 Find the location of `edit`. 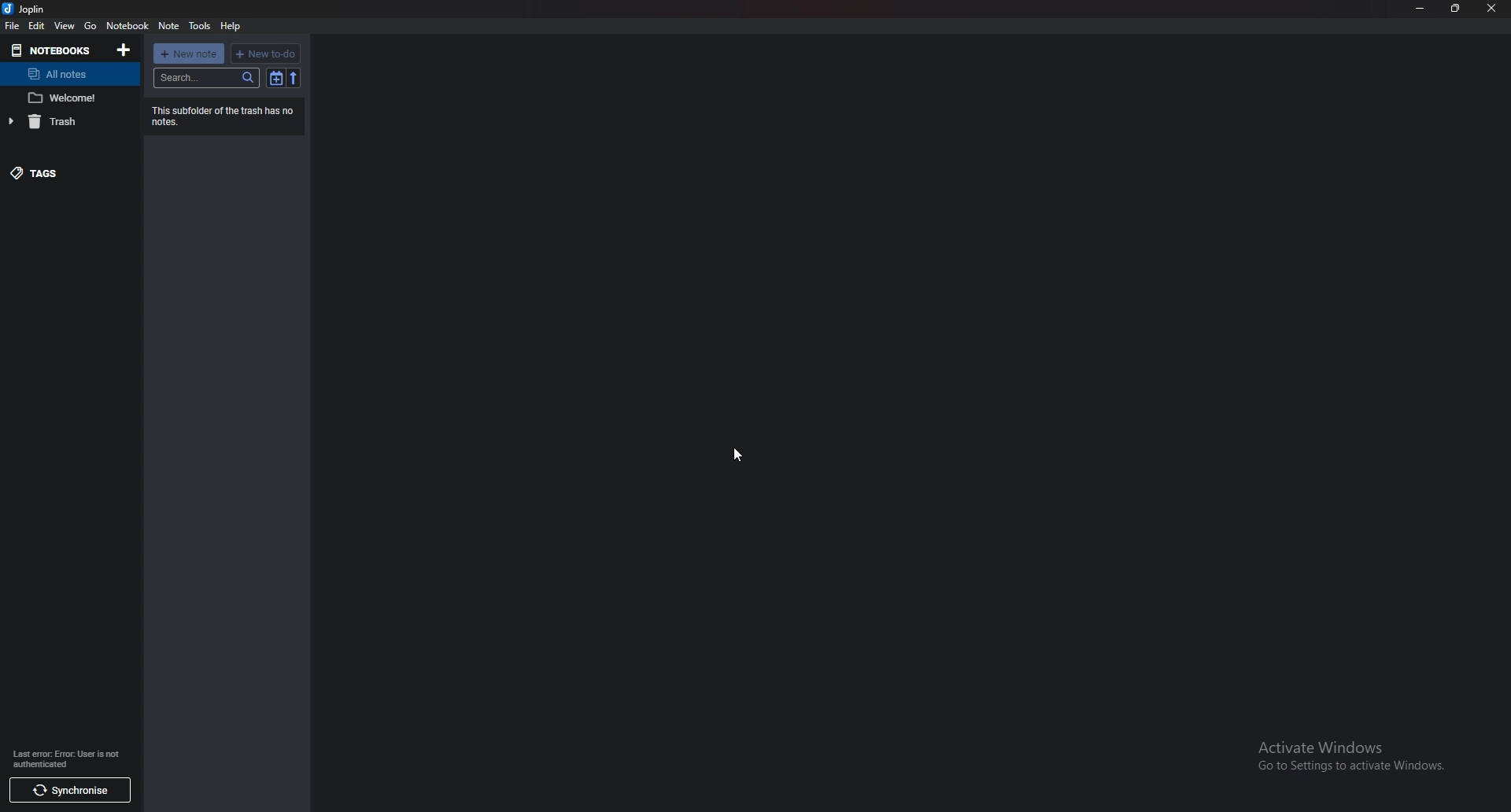

edit is located at coordinates (38, 25).